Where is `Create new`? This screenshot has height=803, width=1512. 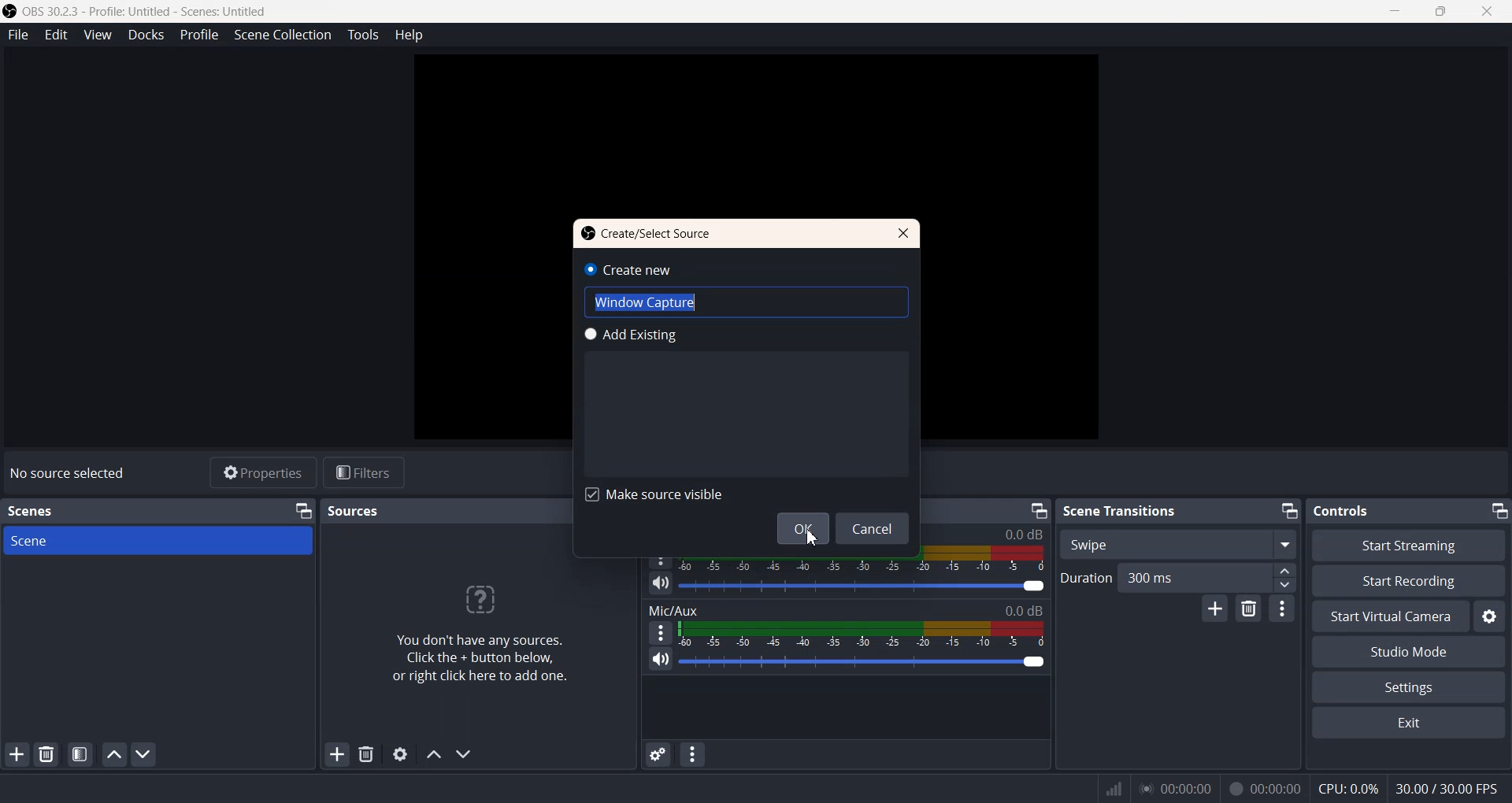
Create new is located at coordinates (628, 269).